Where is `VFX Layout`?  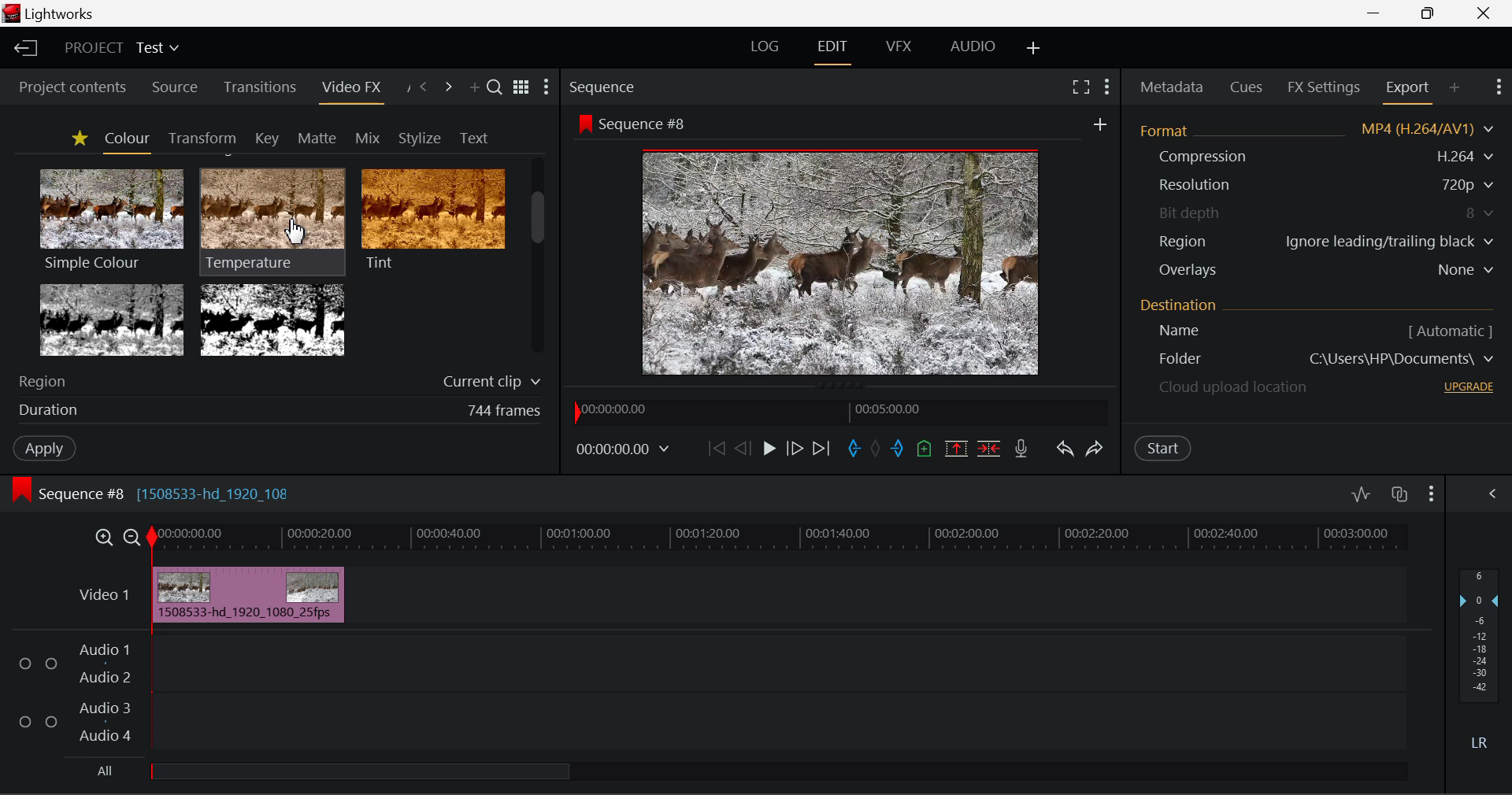
VFX Layout is located at coordinates (897, 48).